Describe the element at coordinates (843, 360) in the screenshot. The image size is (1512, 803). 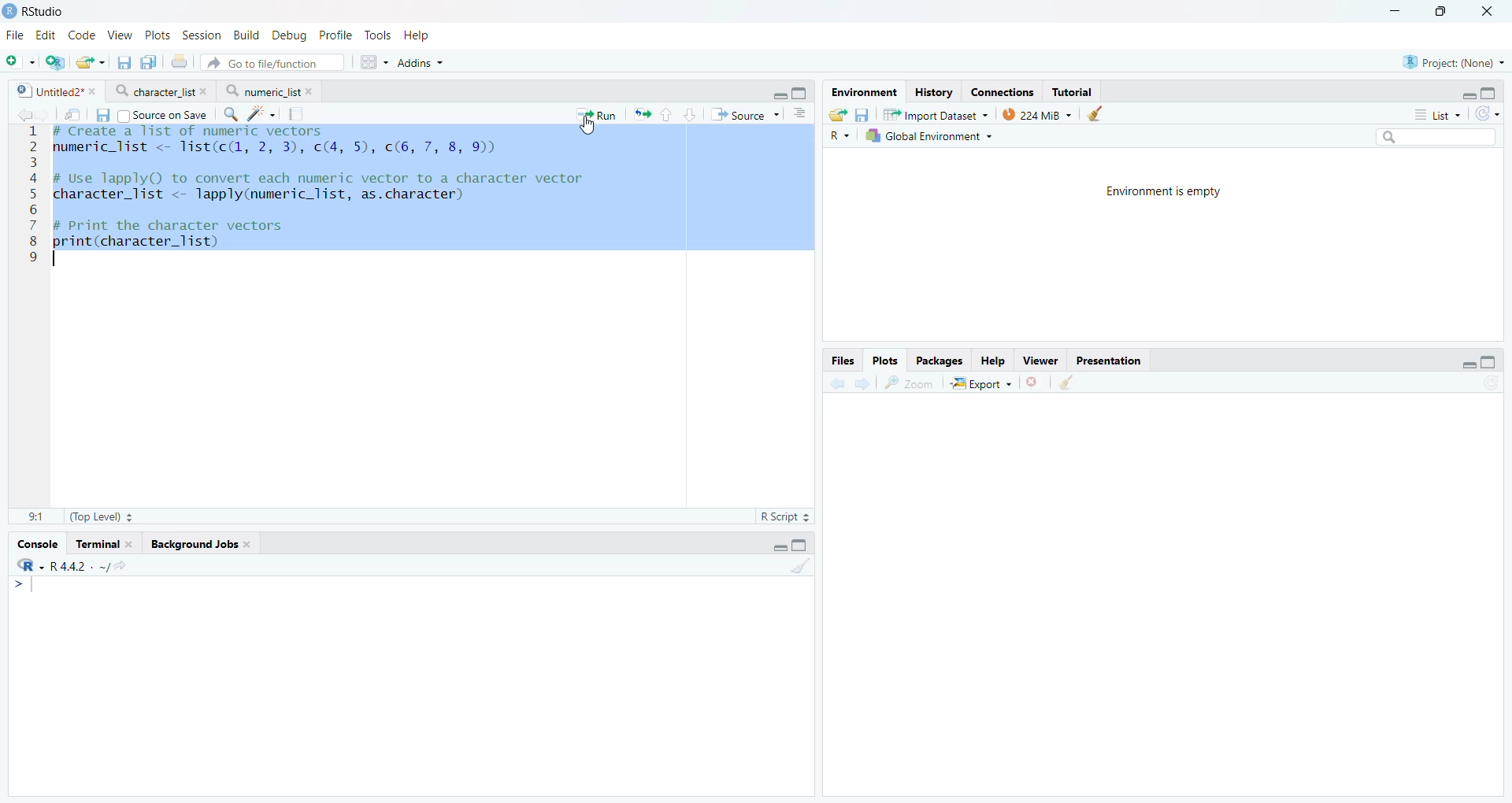
I see `Files` at that location.